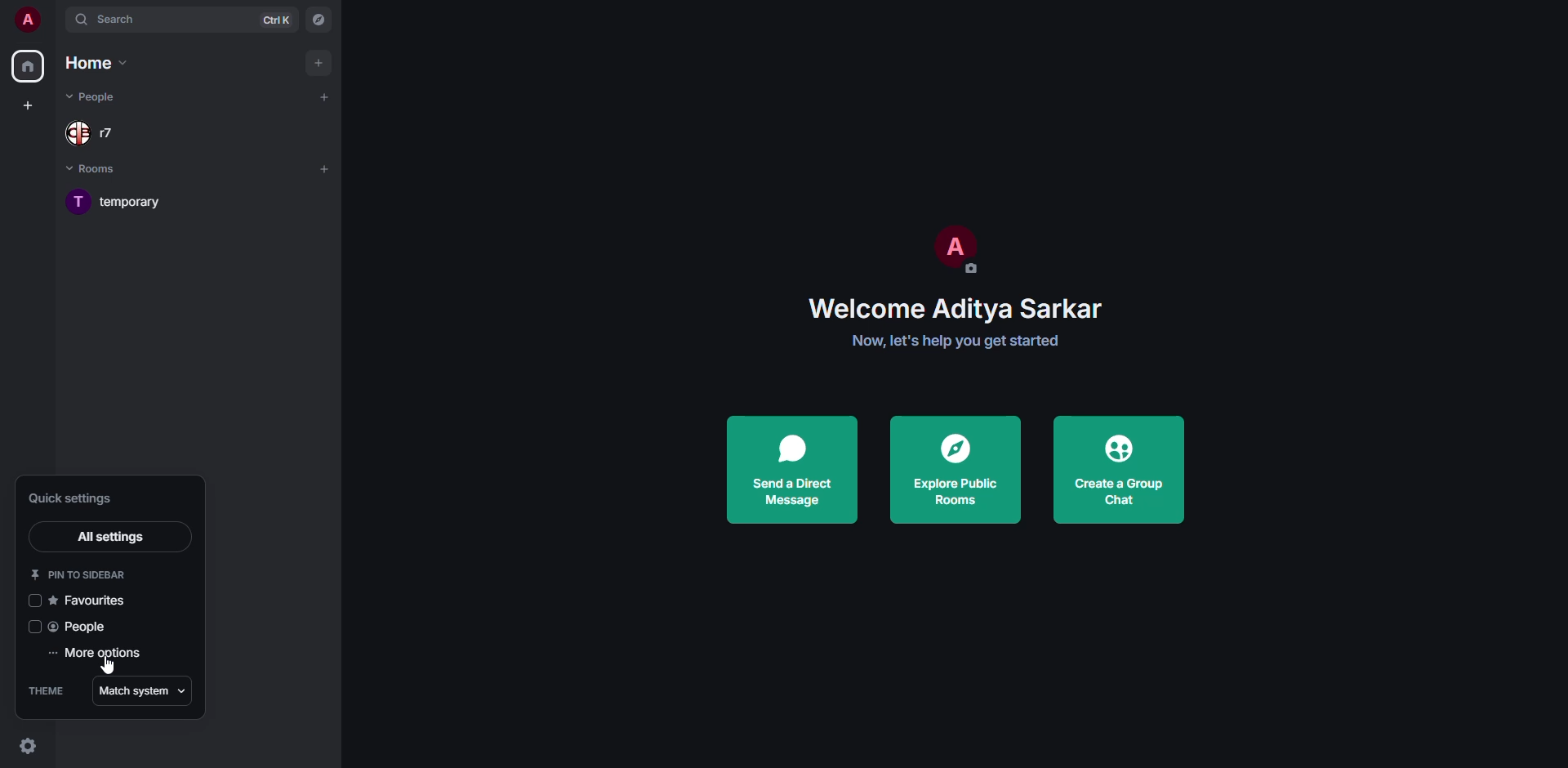  Describe the element at coordinates (27, 746) in the screenshot. I see `quick settings` at that location.